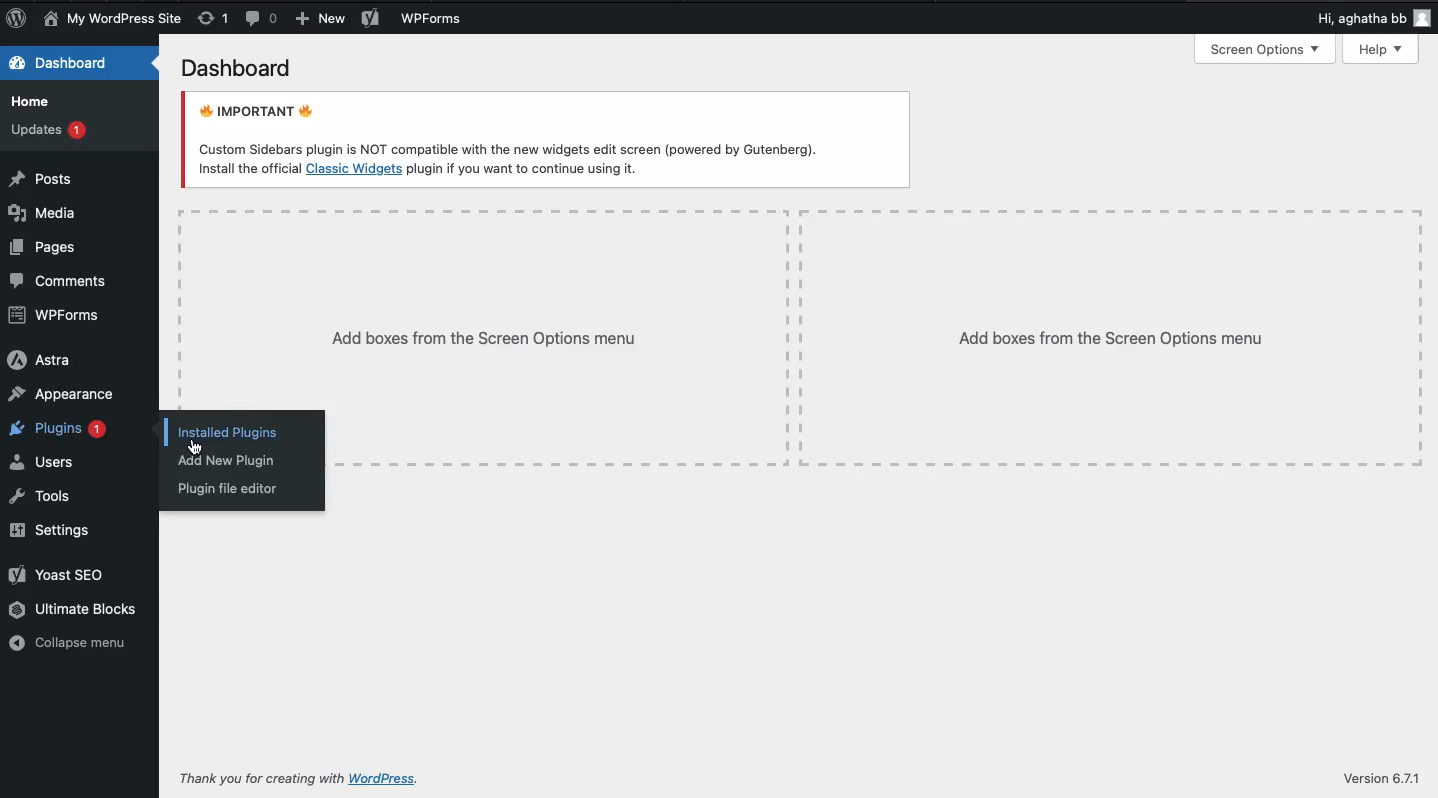 The width and height of the screenshot is (1438, 798). What do you see at coordinates (233, 434) in the screenshot?
I see `Installed plugins` at bounding box center [233, 434].